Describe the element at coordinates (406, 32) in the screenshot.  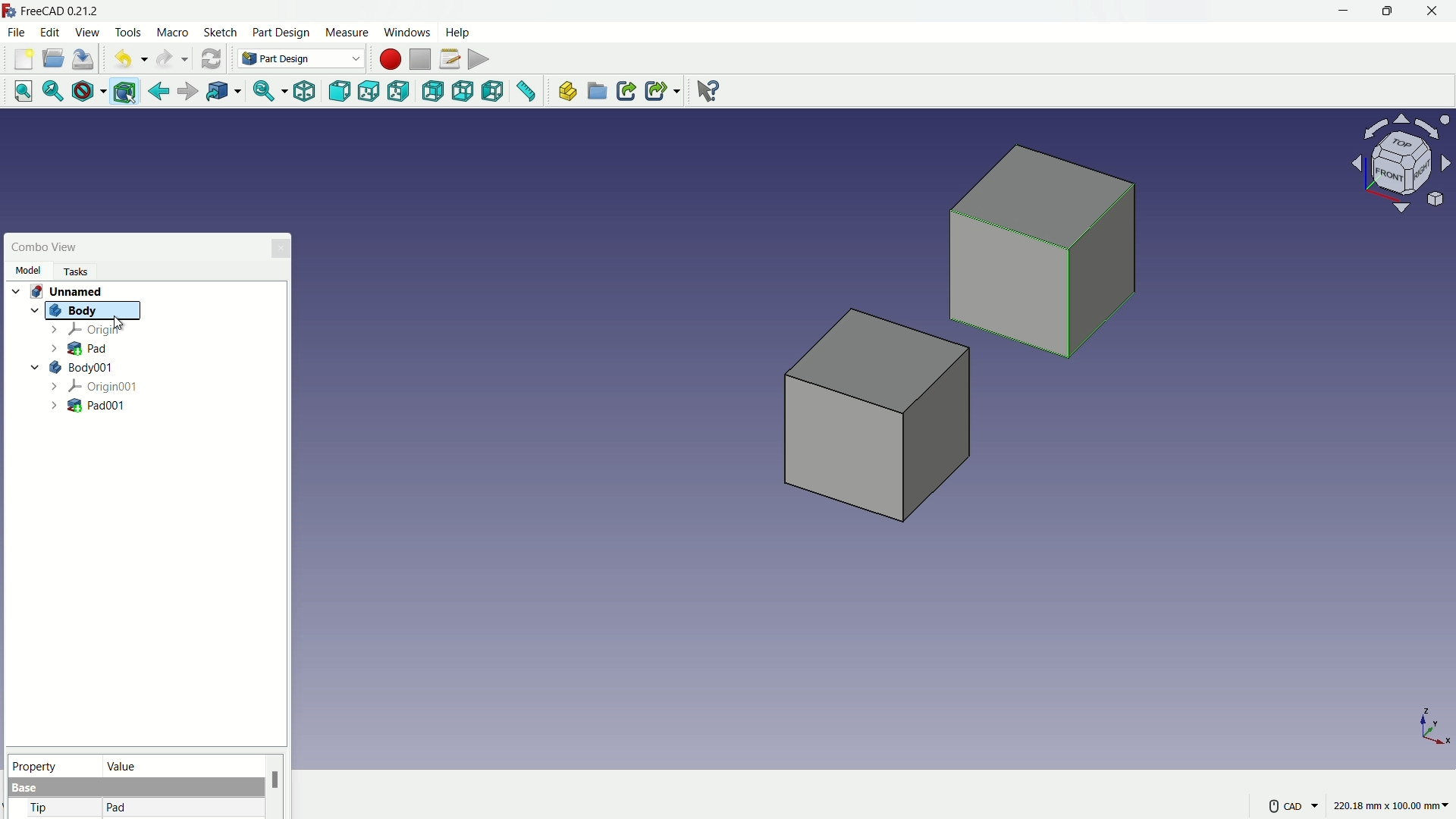
I see `windows` at that location.